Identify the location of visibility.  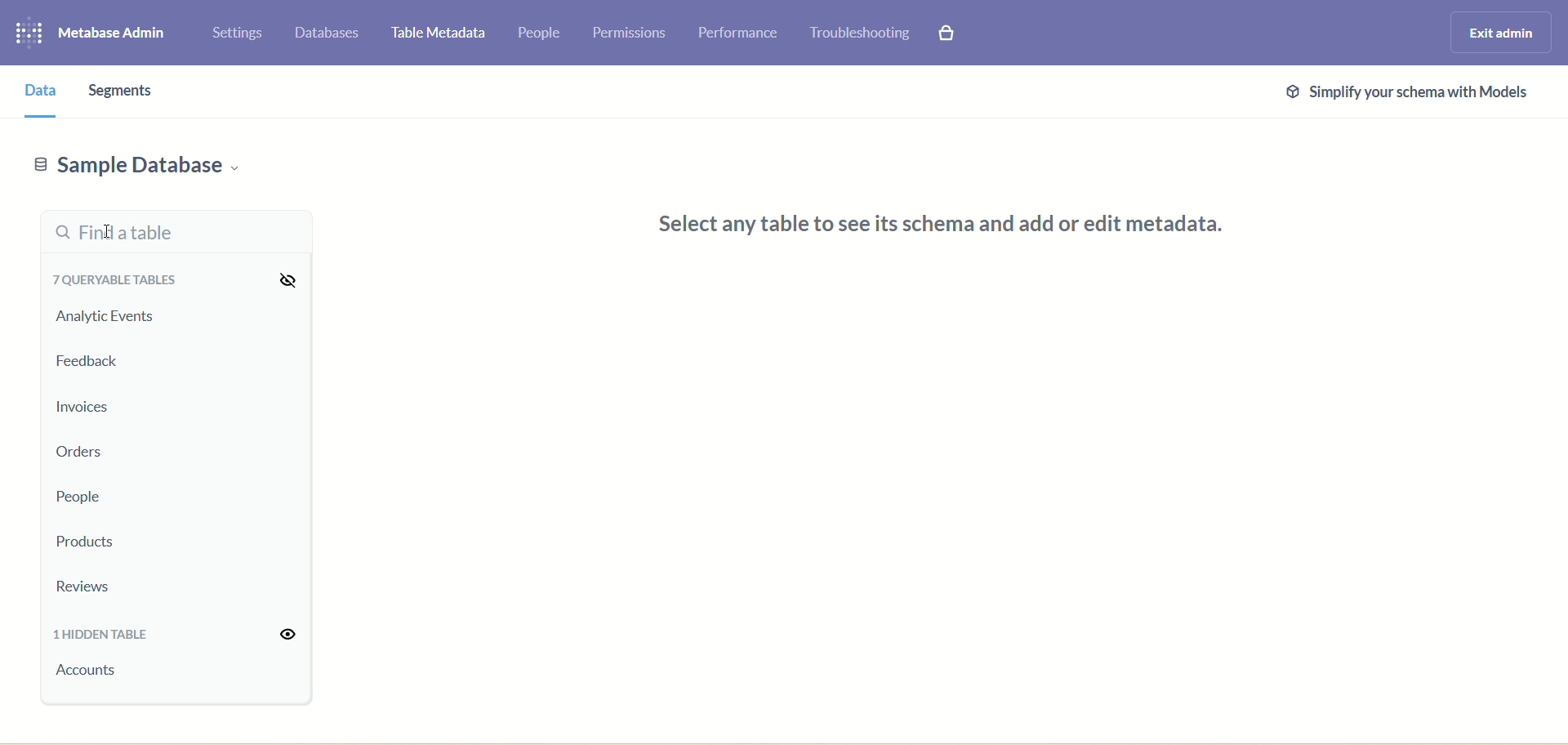
(287, 635).